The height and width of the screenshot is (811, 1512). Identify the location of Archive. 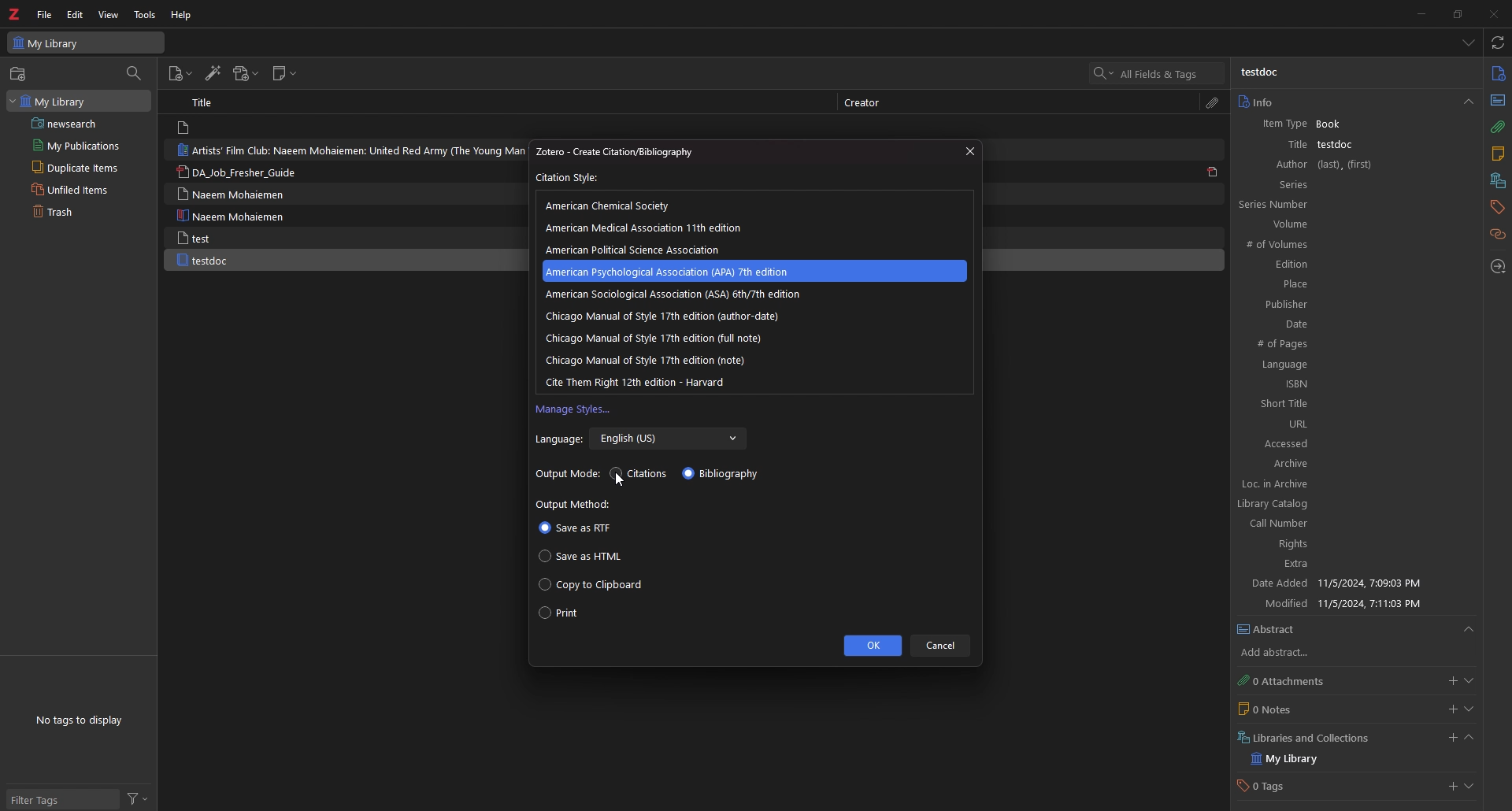
(1352, 465).